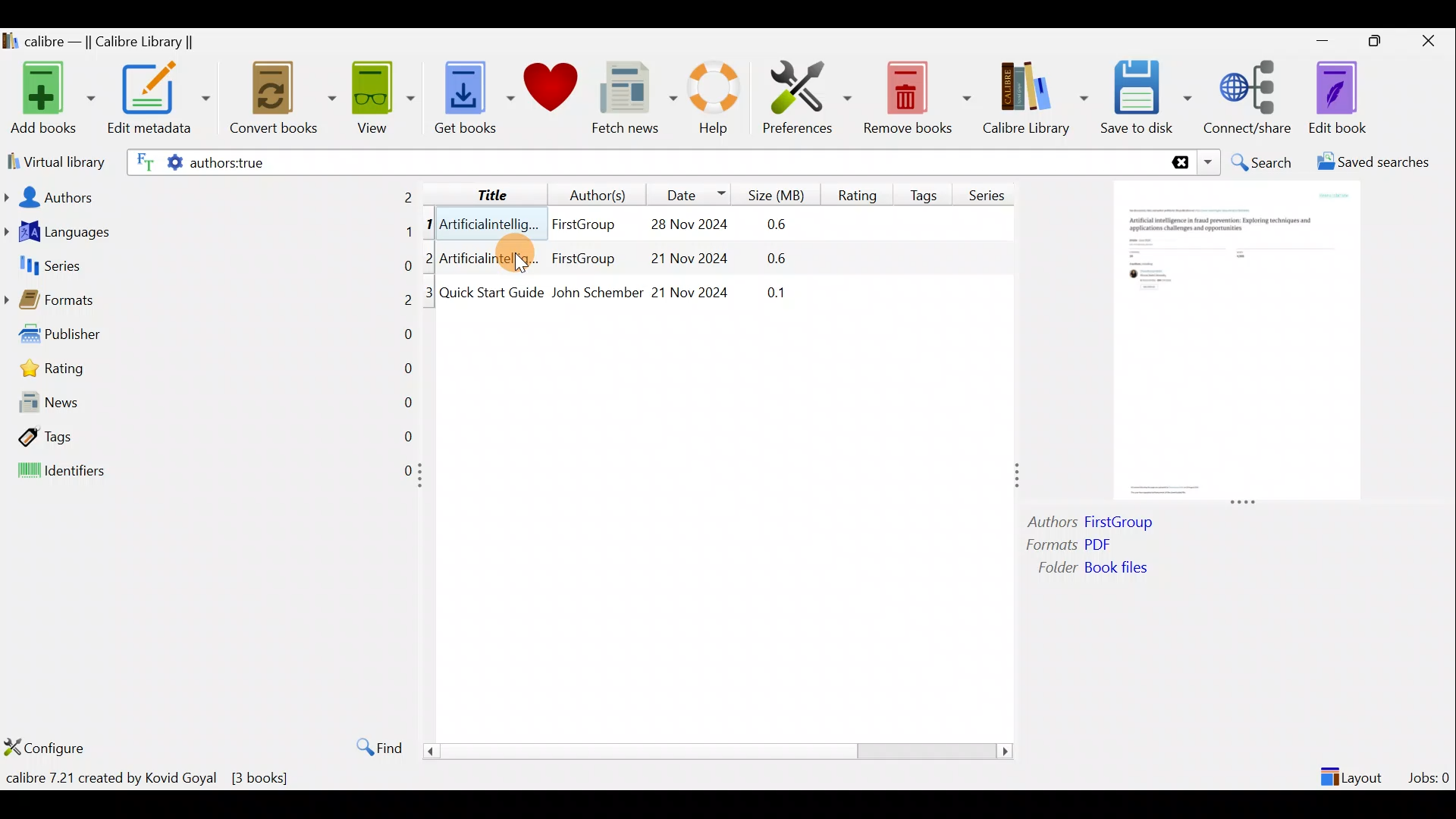  What do you see at coordinates (53, 160) in the screenshot?
I see `Virtual library` at bounding box center [53, 160].